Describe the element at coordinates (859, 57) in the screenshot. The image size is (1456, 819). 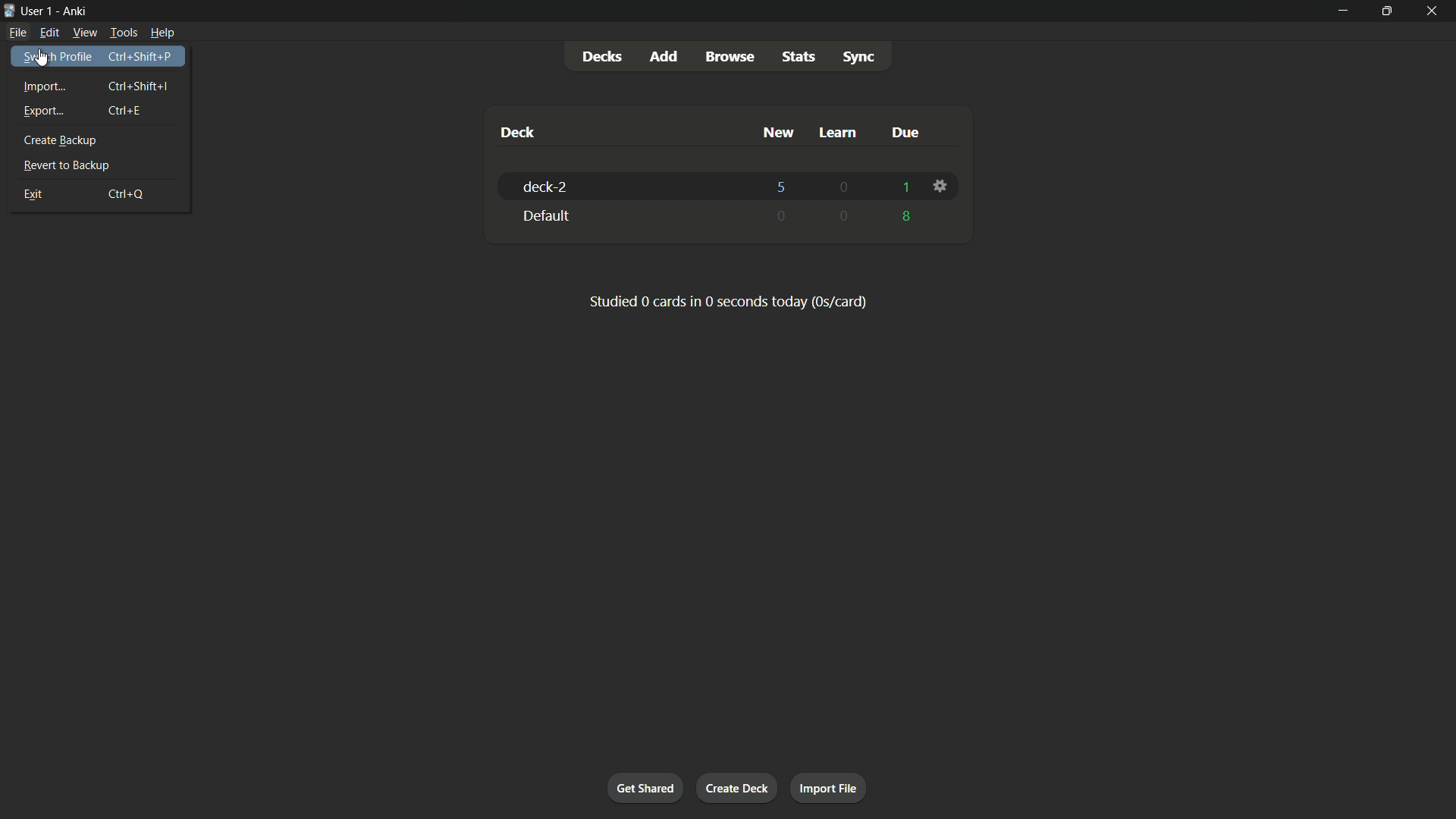
I see `Sync` at that location.